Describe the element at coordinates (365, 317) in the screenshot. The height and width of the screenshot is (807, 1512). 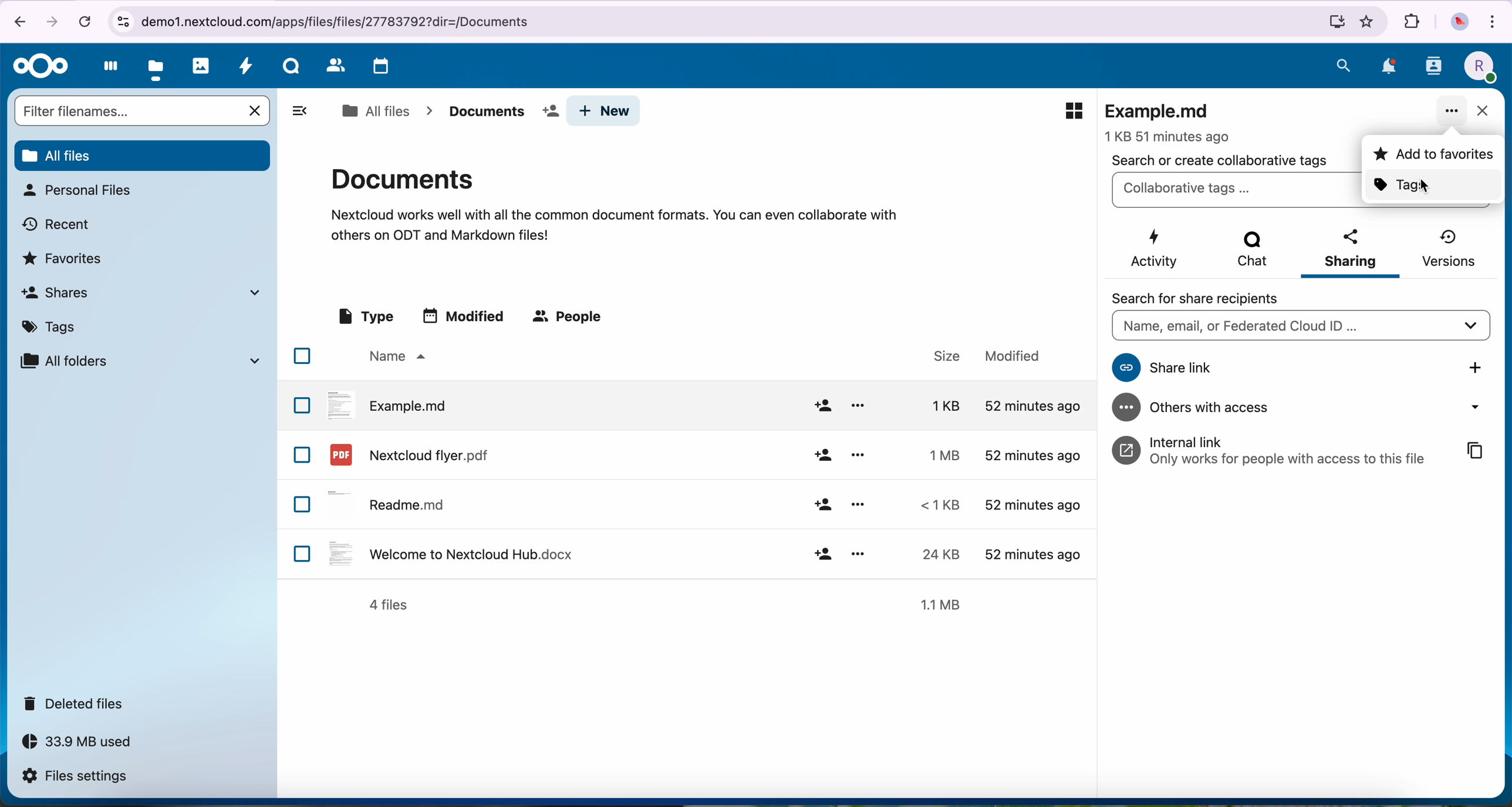
I see `type` at that location.